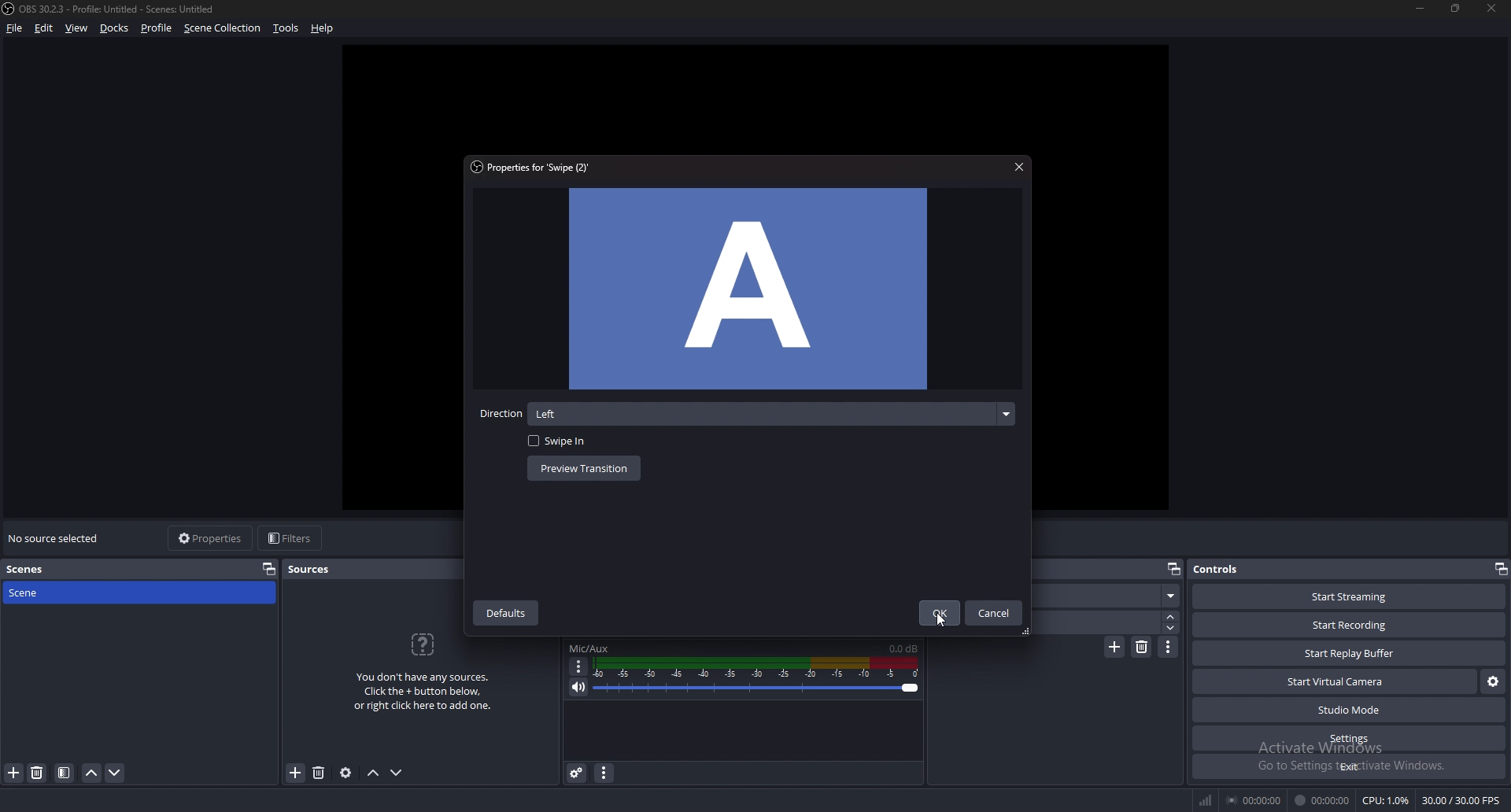 This screenshot has height=812, width=1511. I want to click on 00:00:00, so click(1322, 801).